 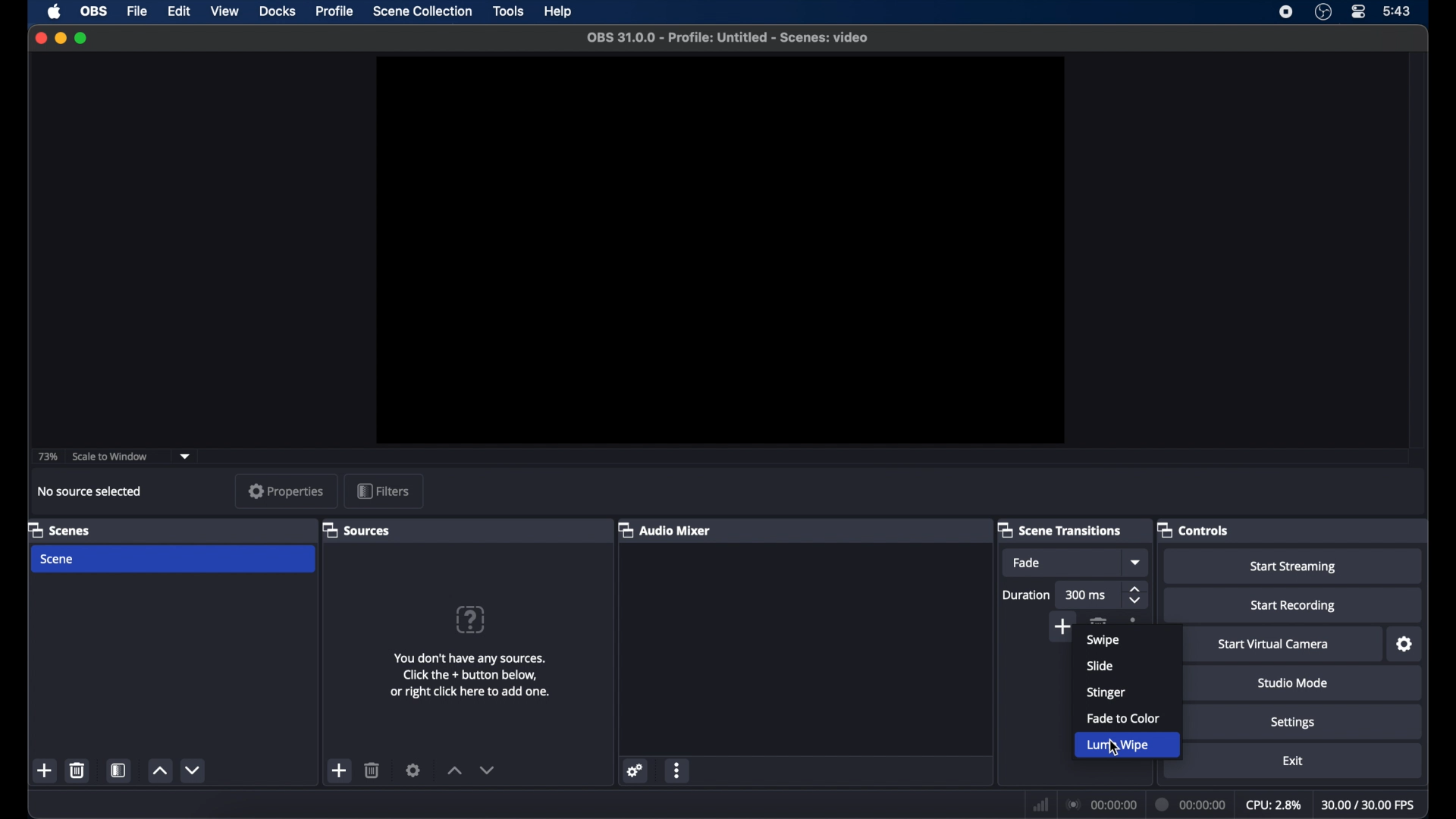 What do you see at coordinates (278, 12) in the screenshot?
I see `docks` at bounding box center [278, 12].